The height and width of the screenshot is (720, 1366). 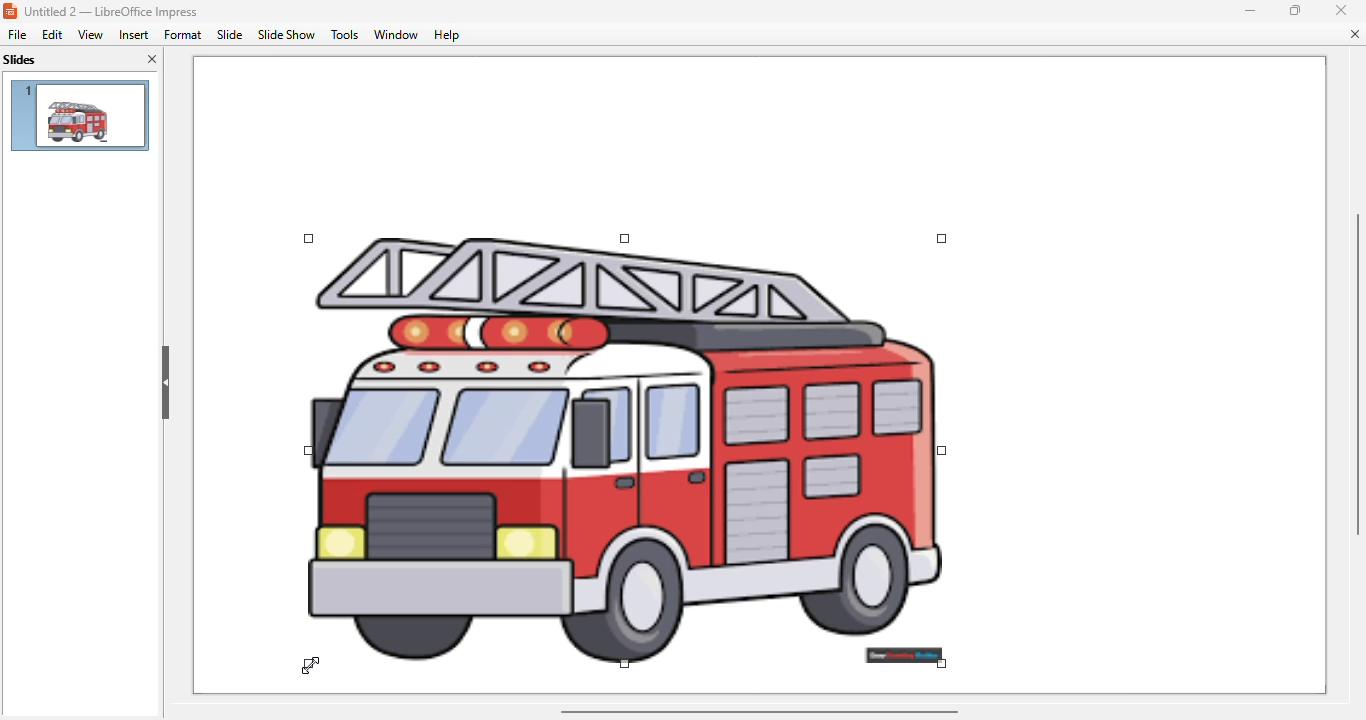 What do you see at coordinates (1357, 34) in the screenshot?
I see `close document` at bounding box center [1357, 34].